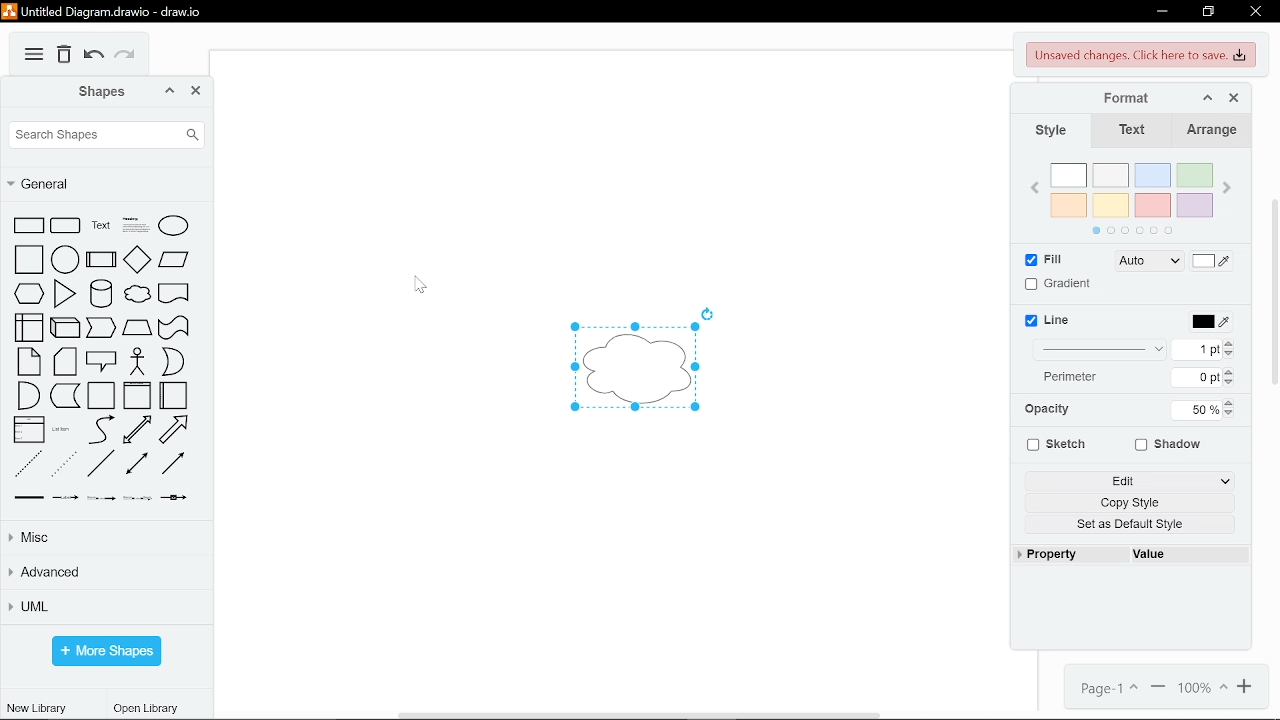 The height and width of the screenshot is (720, 1280). Describe the element at coordinates (105, 606) in the screenshot. I see `UML` at that location.